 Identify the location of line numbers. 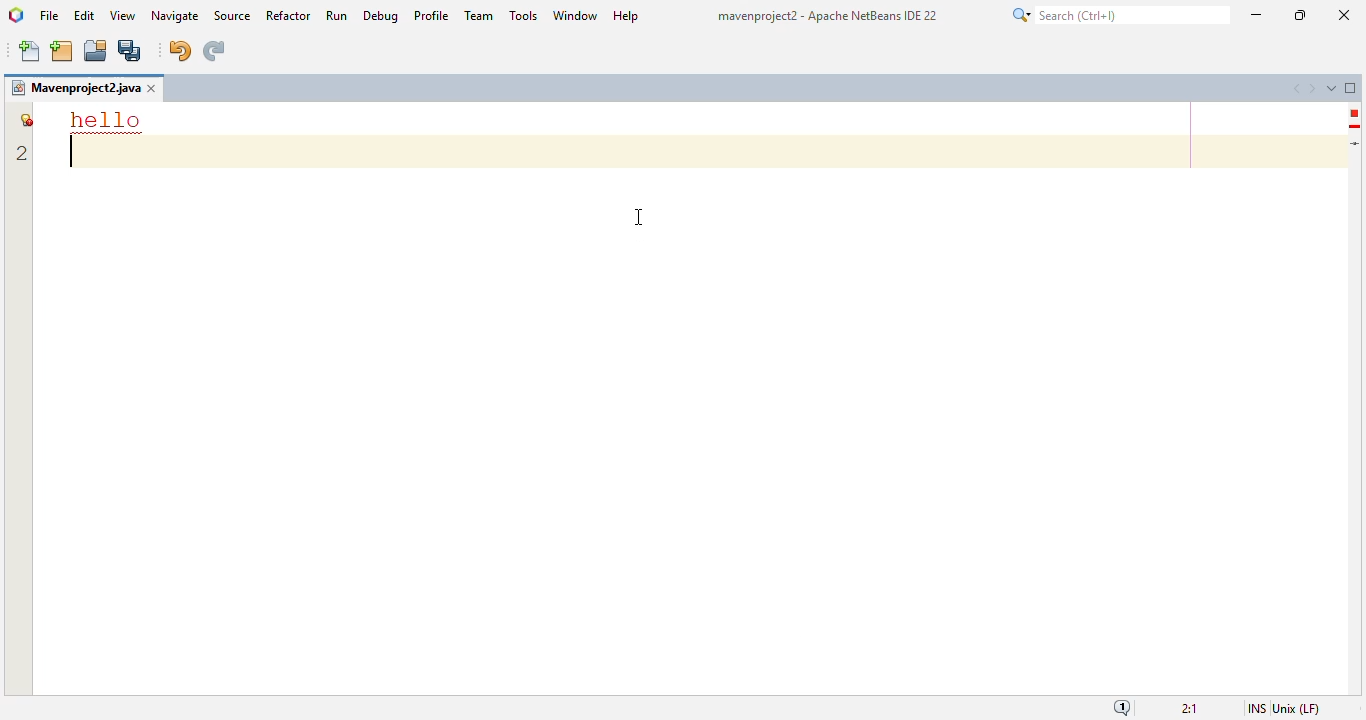
(22, 135).